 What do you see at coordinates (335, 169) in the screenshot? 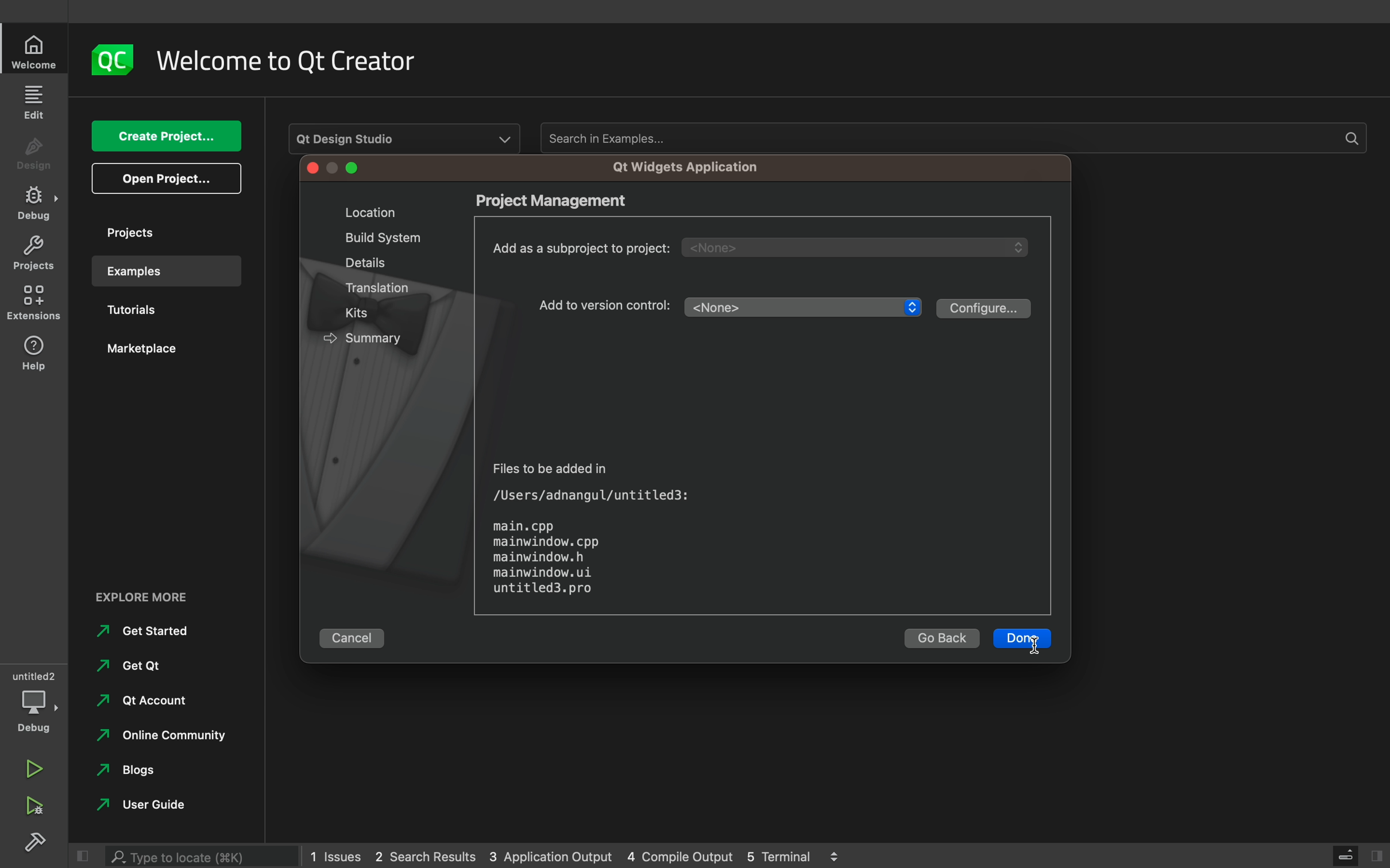
I see `window control` at bounding box center [335, 169].